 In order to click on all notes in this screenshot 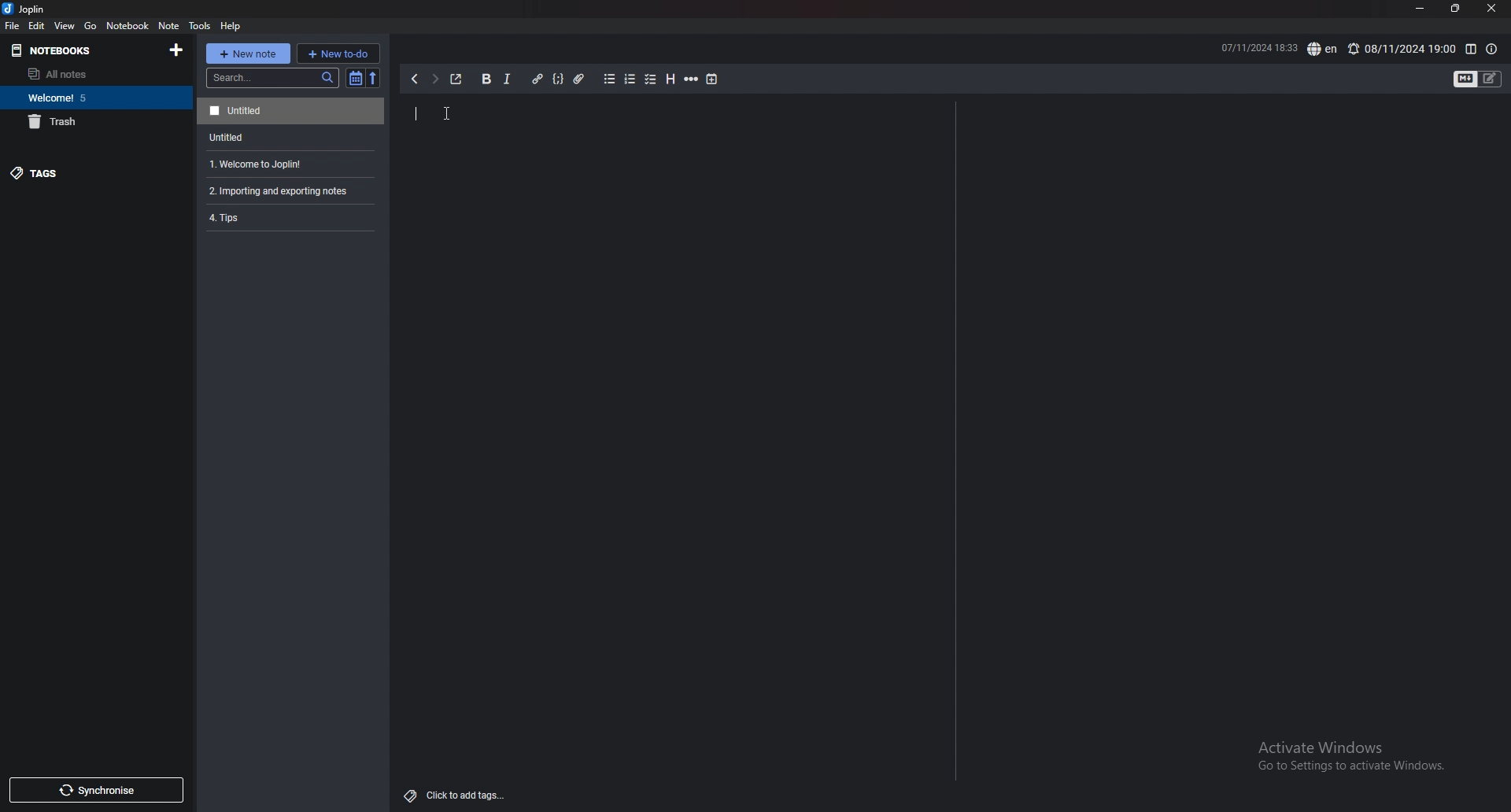, I will do `click(89, 74)`.